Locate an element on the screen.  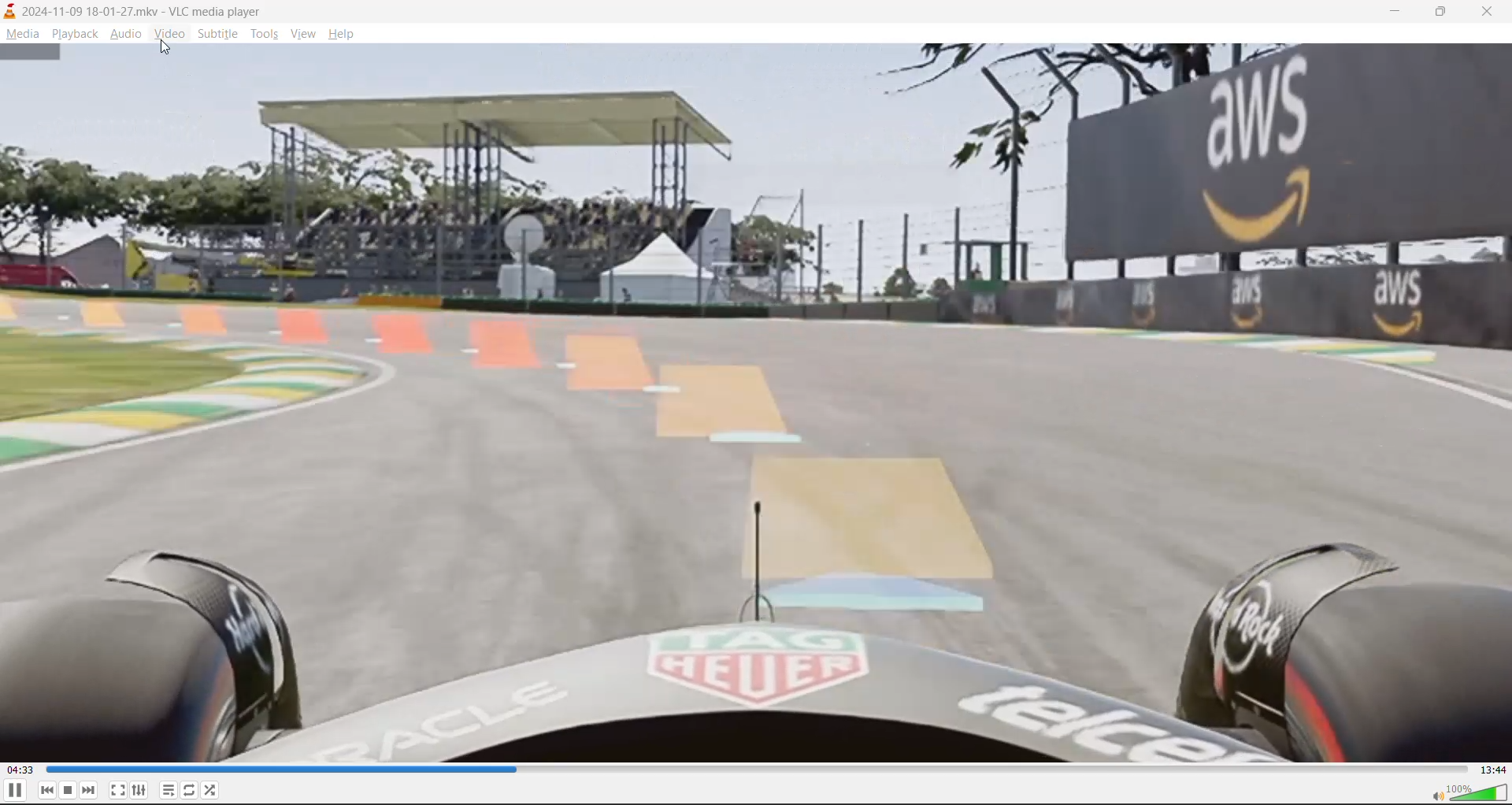
help is located at coordinates (345, 37).